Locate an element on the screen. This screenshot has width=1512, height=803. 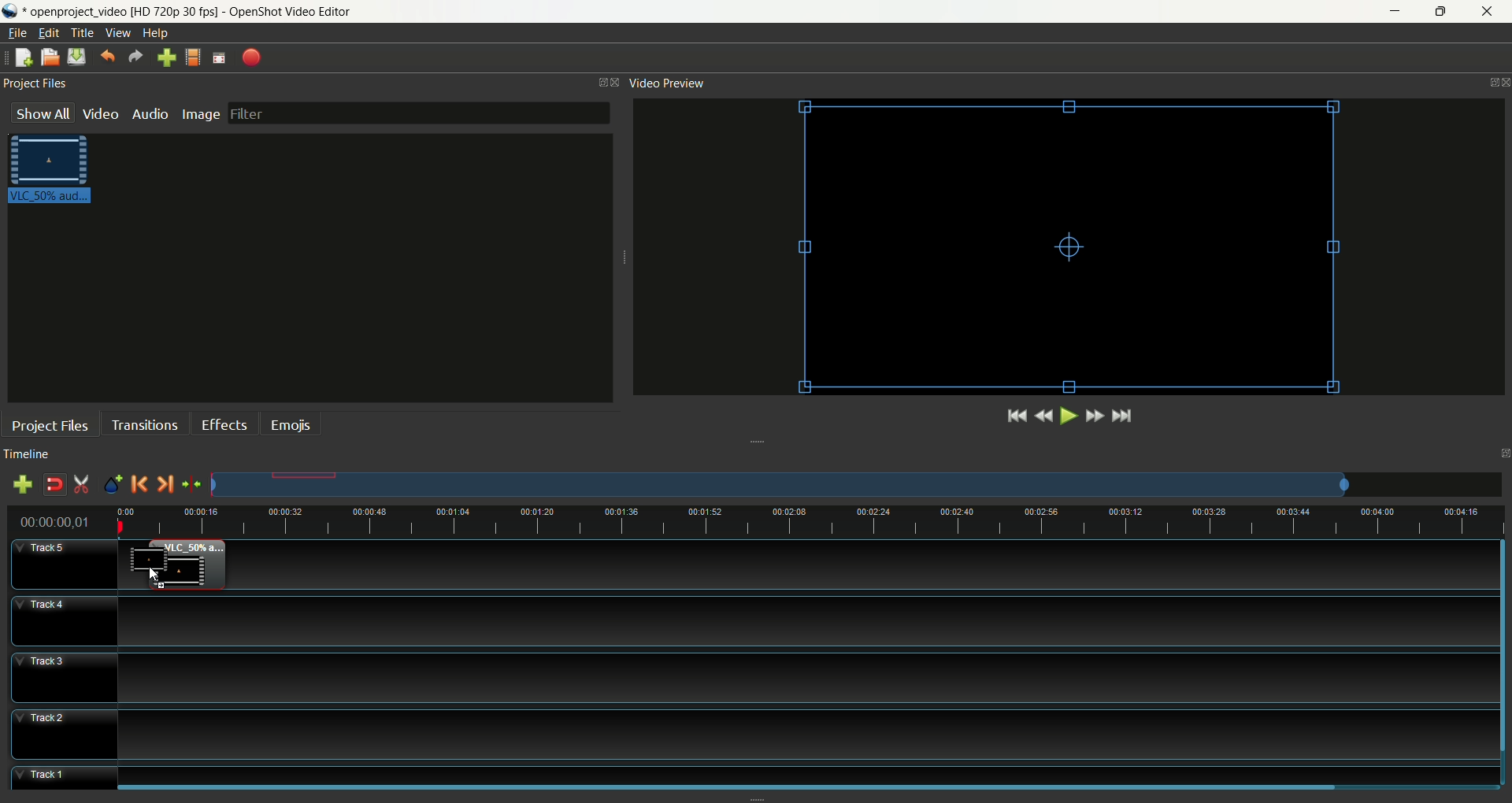
centre the timeline on playhead is located at coordinates (191, 485).